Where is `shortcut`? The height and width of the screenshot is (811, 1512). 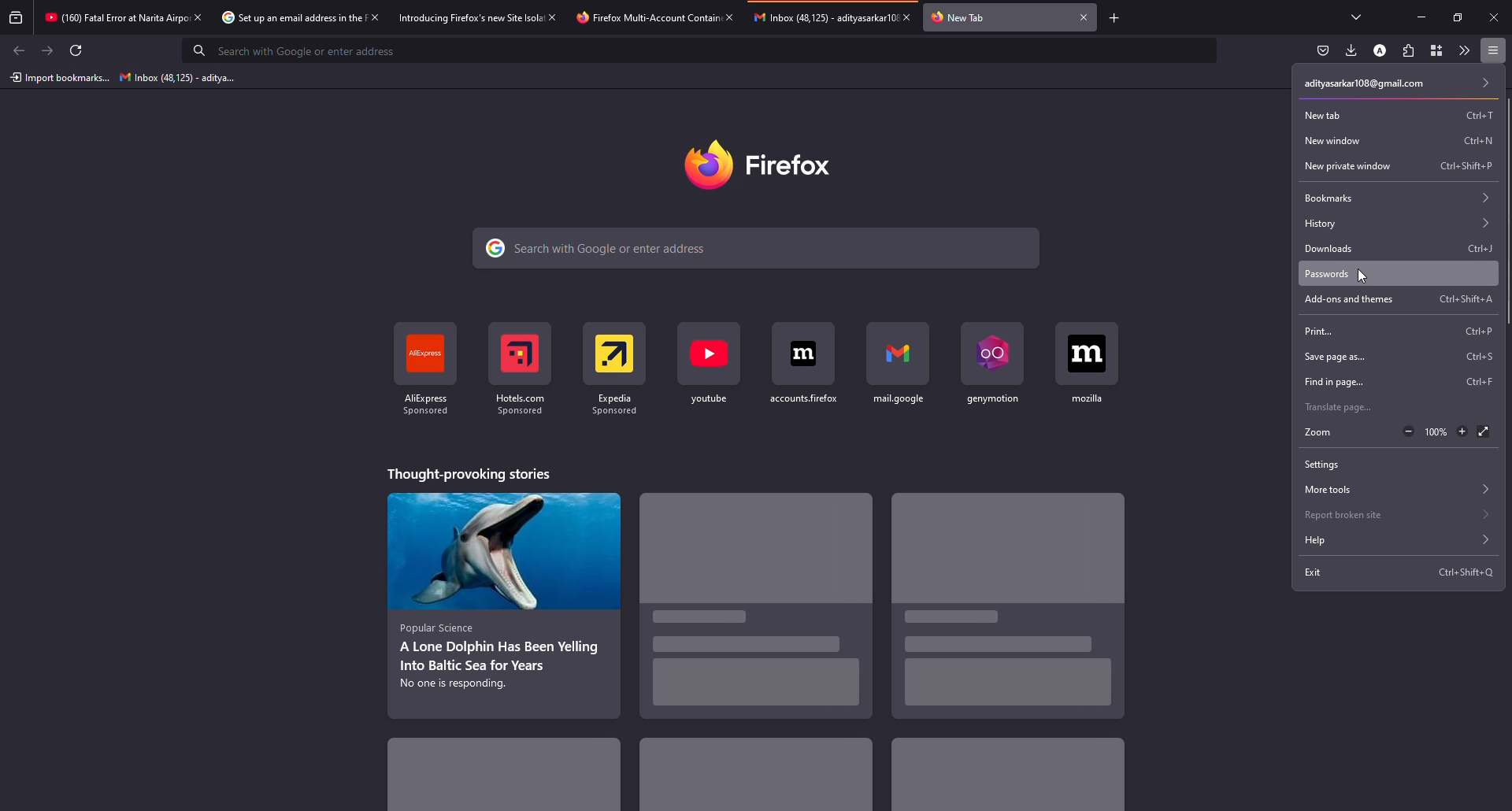 shortcut is located at coordinates (617, 365).